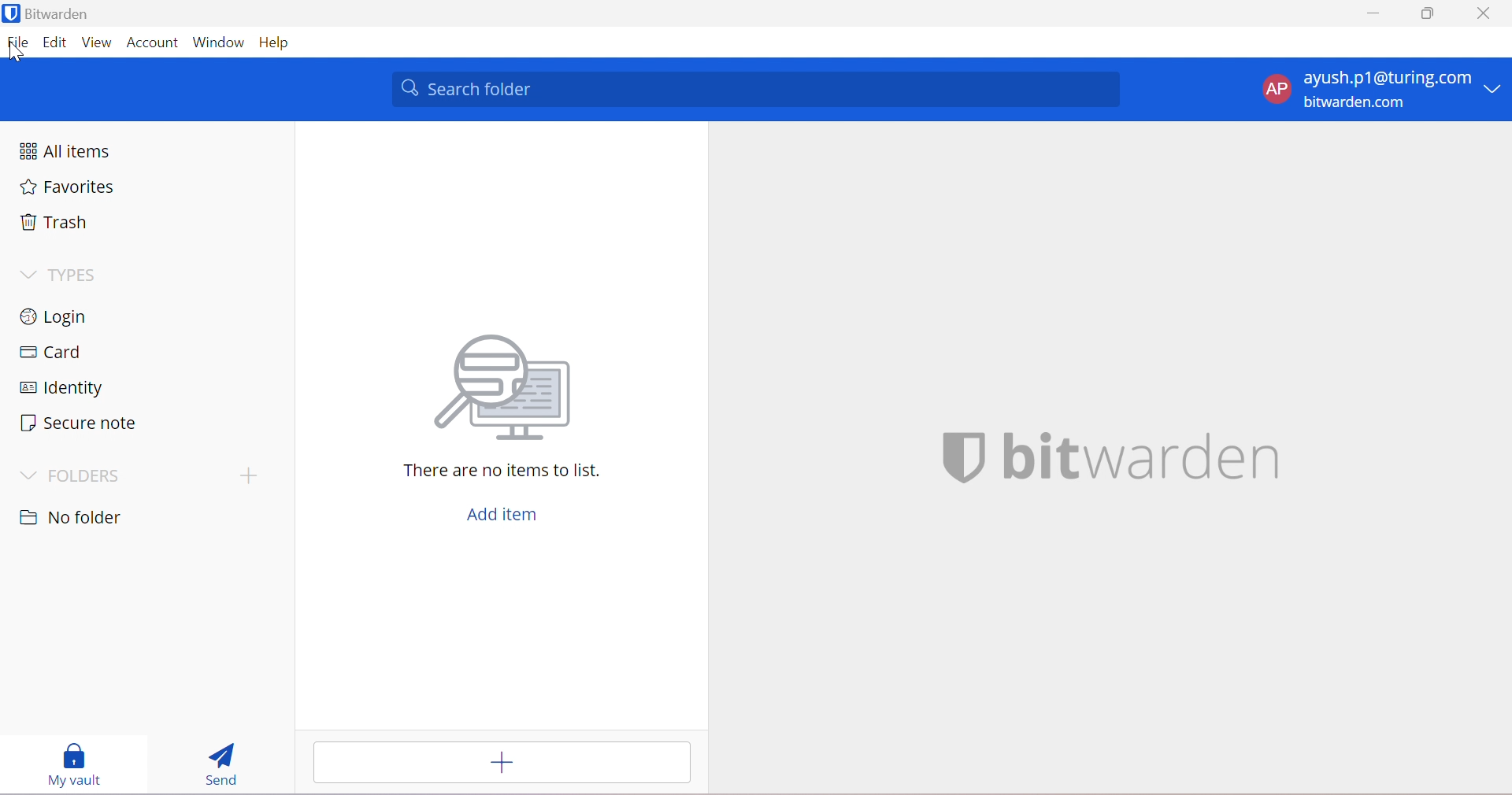 Image resolution: width=1512 pixels, height=795 pixels. What do you see at coordinates (31, 476) in the screenshot?
I see `Drop Down` at bounding box center [31, 476].